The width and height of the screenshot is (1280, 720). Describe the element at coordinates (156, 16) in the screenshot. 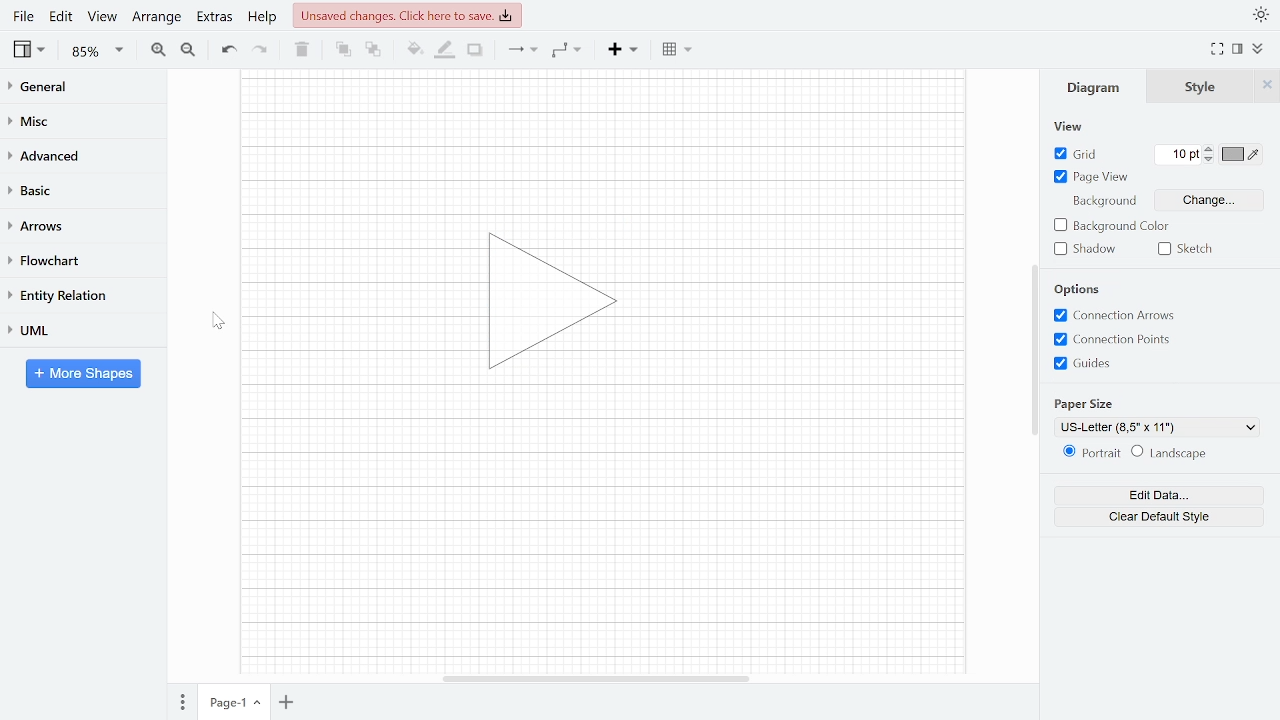

I see `Arrange` at that location.